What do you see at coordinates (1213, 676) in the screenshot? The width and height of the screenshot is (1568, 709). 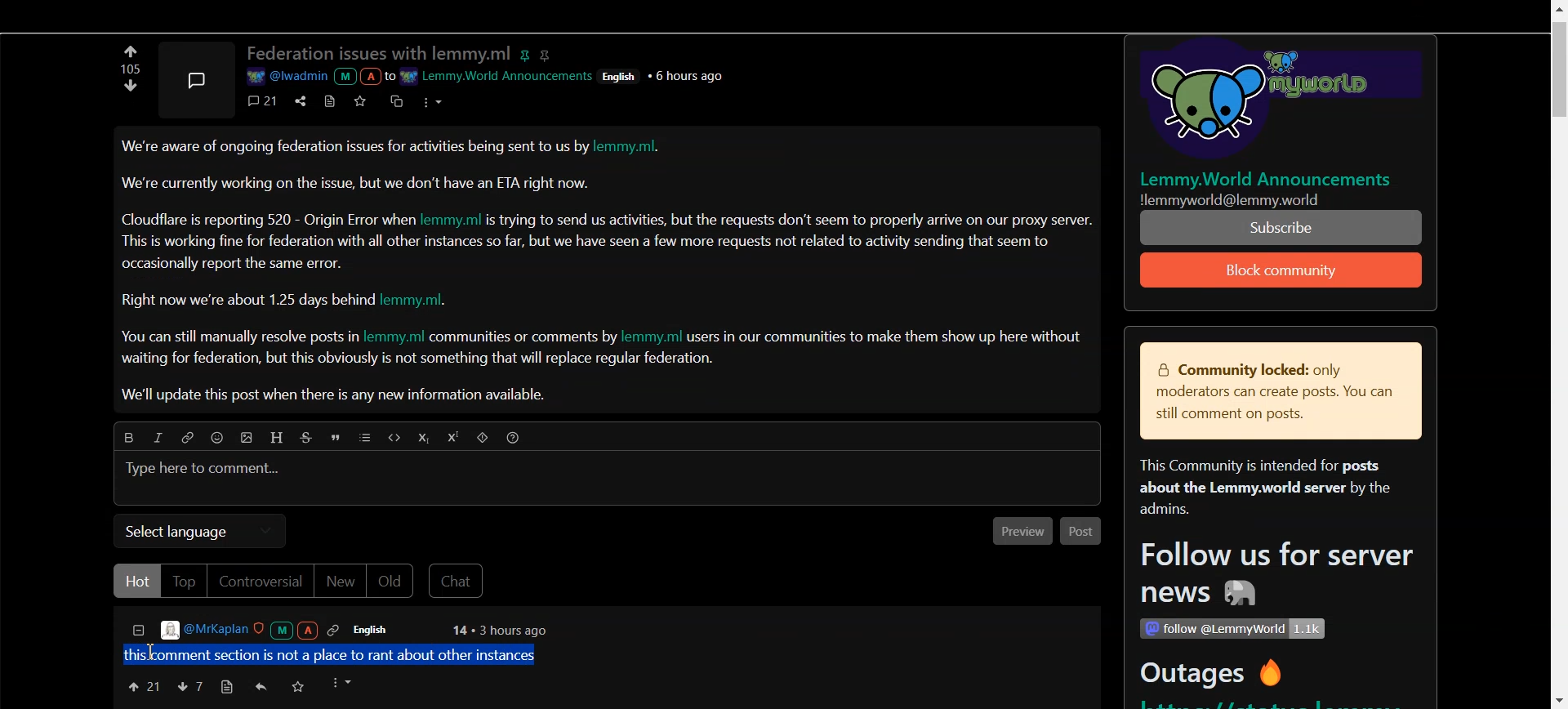 I see `Outages ®` at bounding box center [1213, 676].